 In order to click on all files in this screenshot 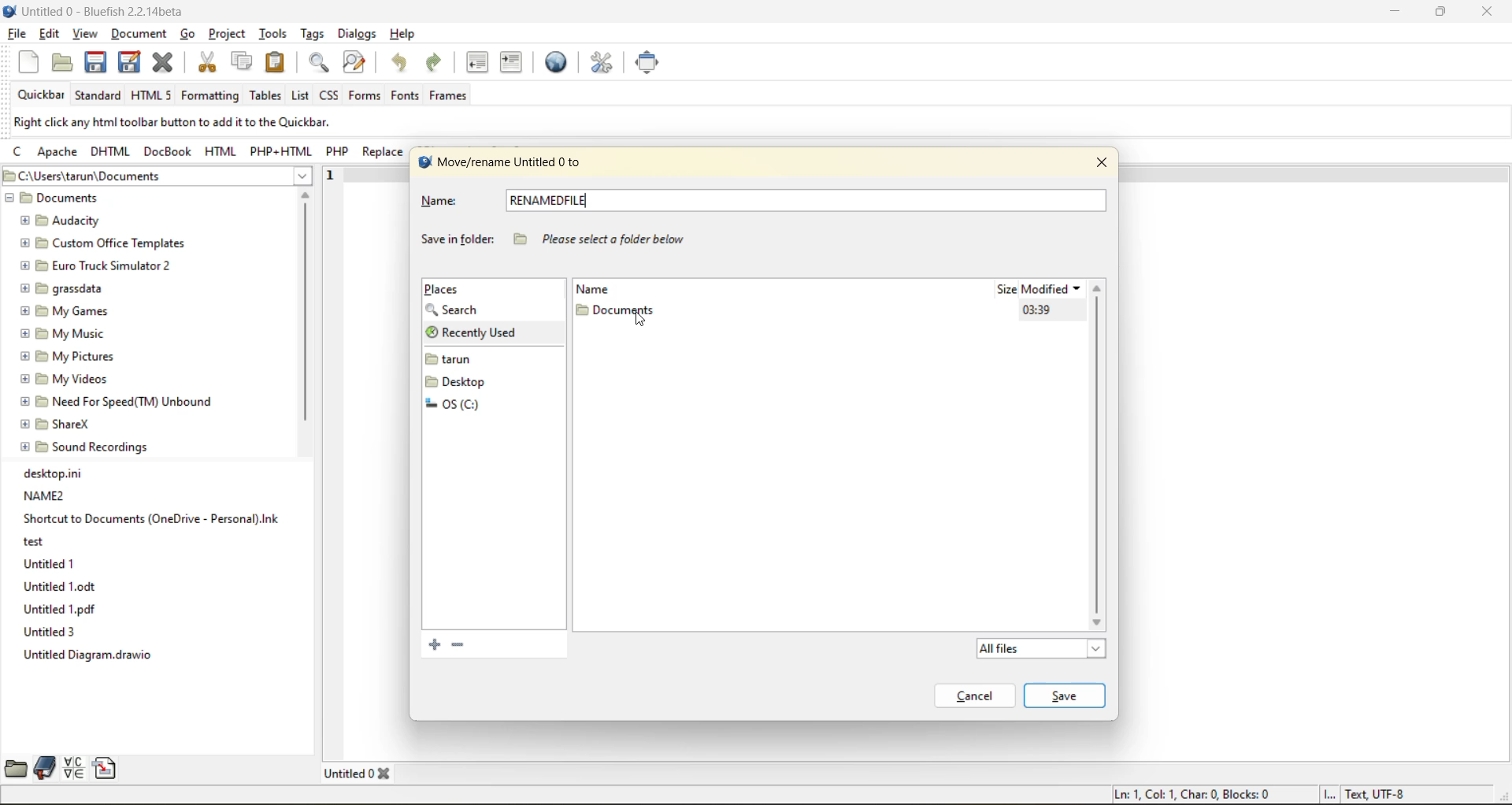, I will do `click(1044, 647)`.